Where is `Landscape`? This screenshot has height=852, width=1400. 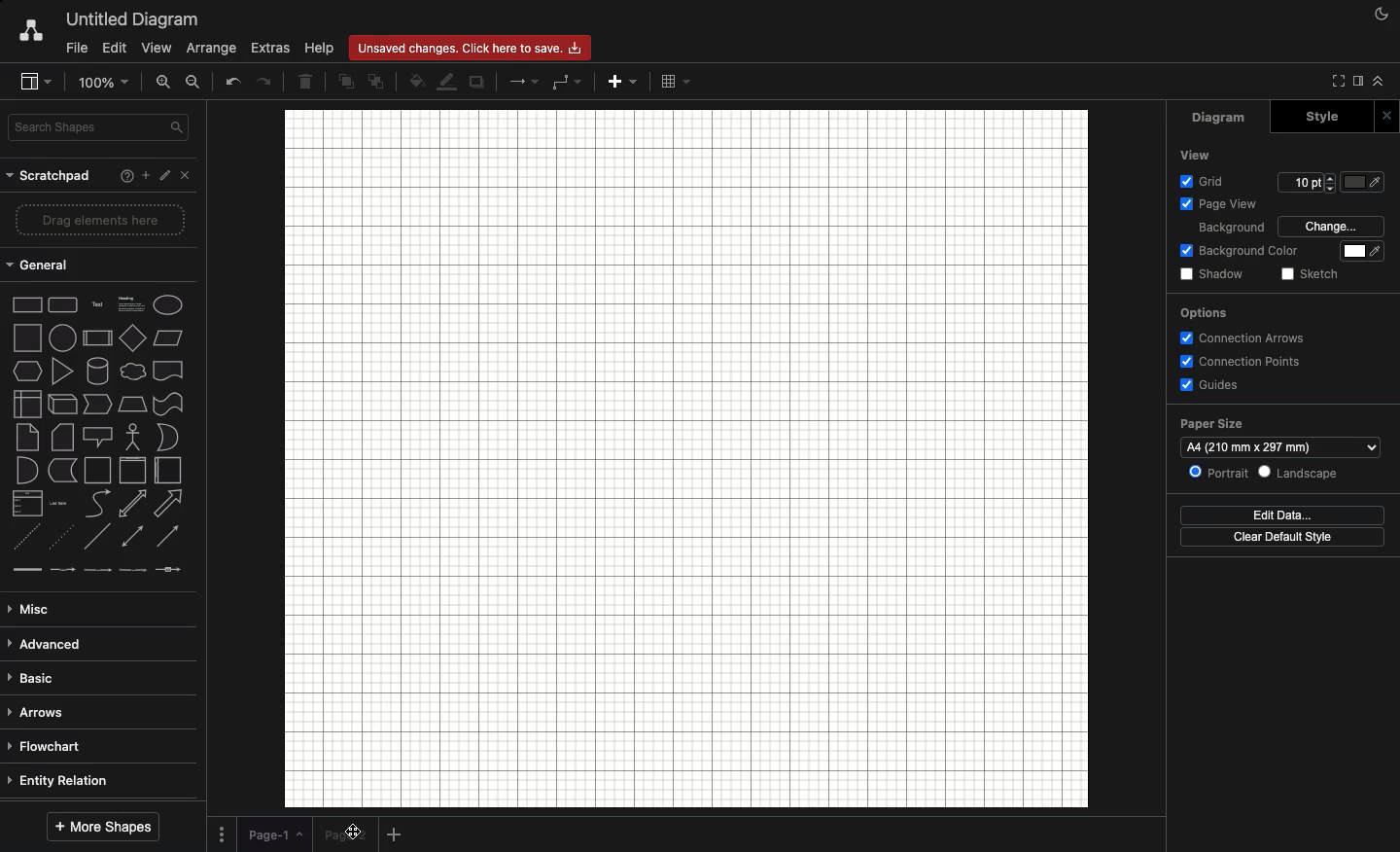
Landscape is located at coordinates (1299, 473).